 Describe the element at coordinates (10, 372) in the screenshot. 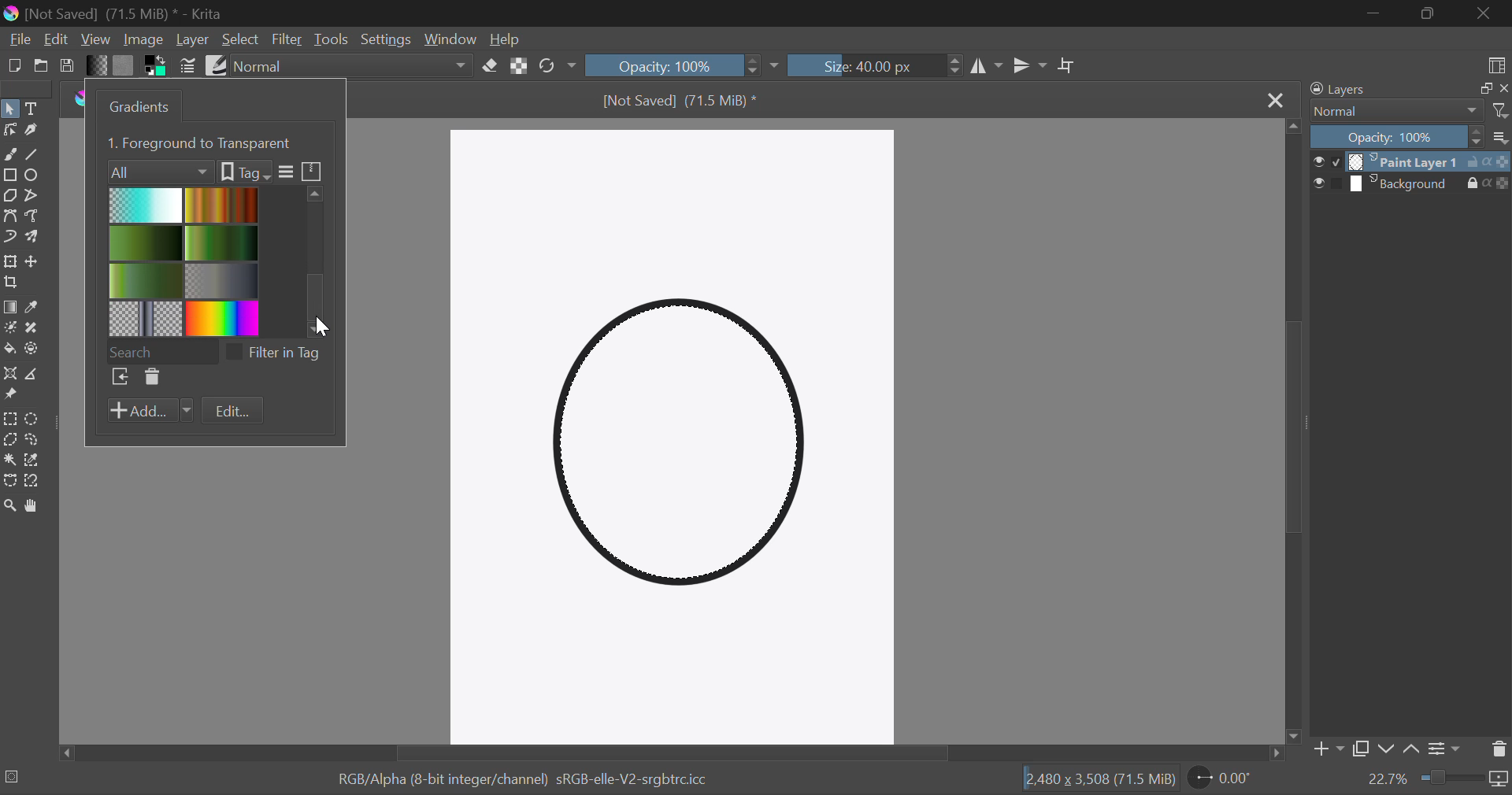

I see `Assistant Tool` at that location.